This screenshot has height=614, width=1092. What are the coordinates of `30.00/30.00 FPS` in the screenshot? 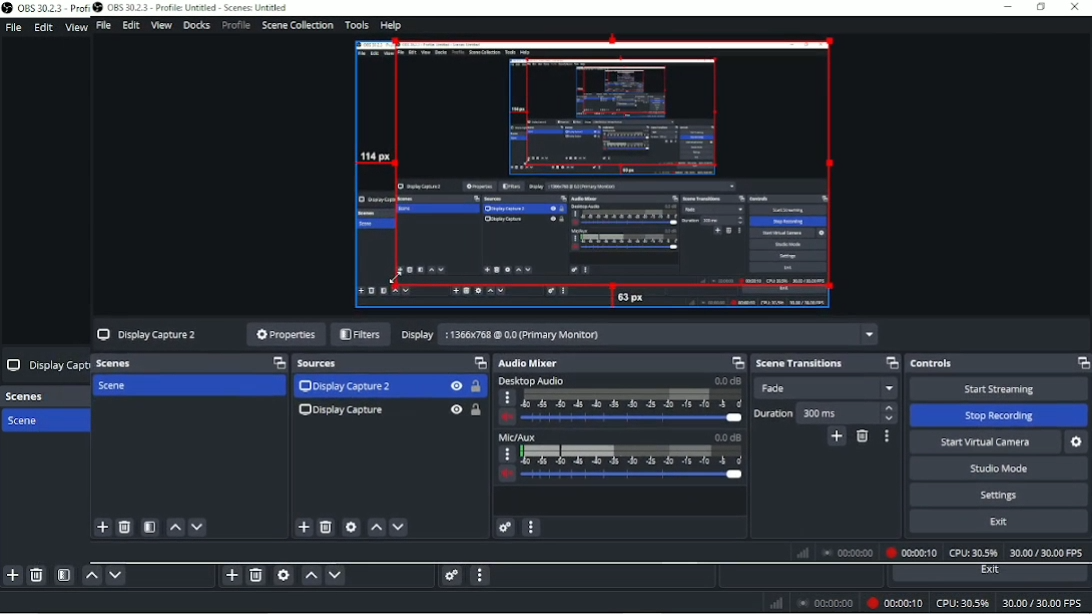 It's located at (1044, 552).